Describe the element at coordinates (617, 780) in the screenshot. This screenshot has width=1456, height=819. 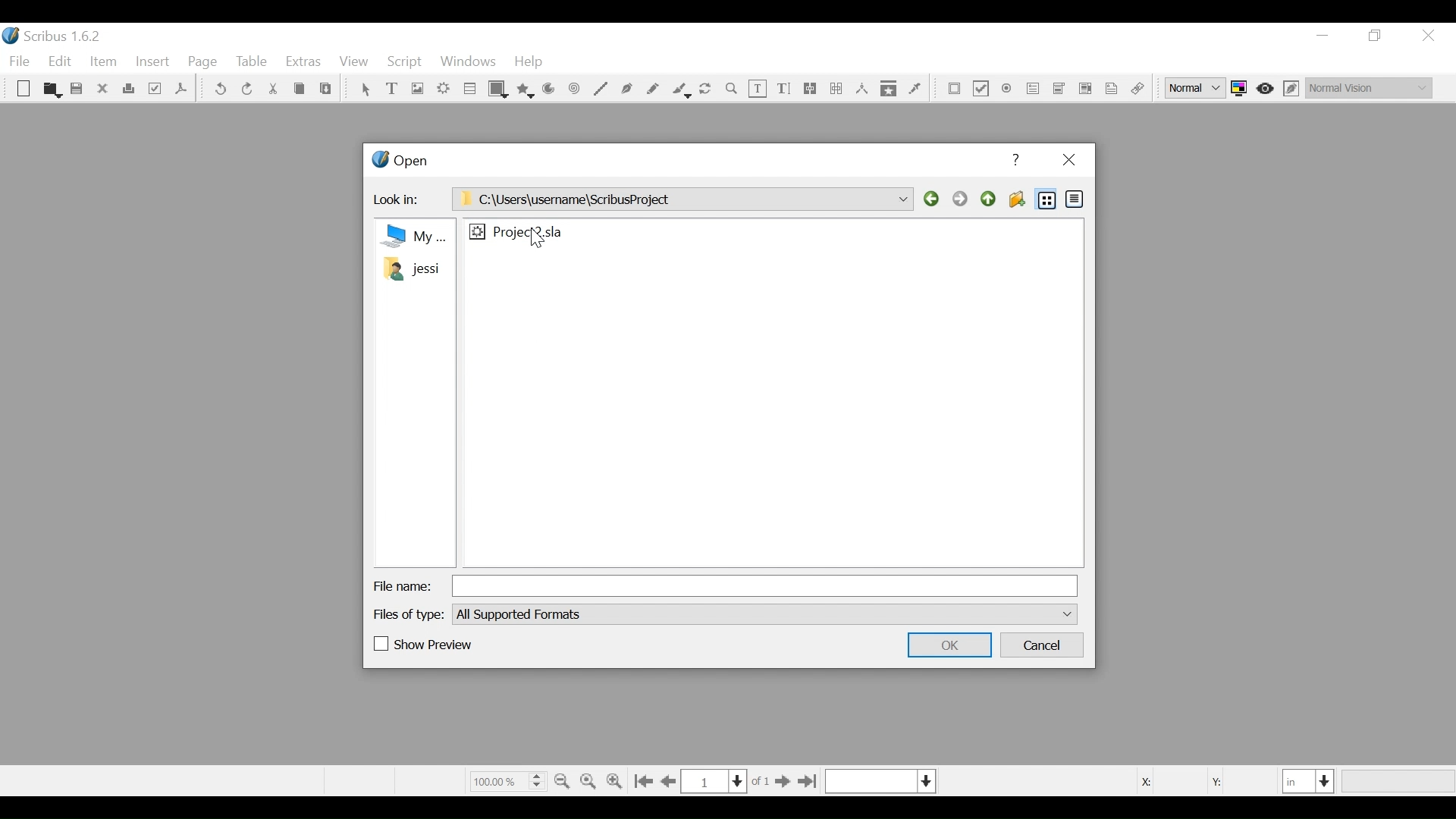
I see `Zoom in` at that location.